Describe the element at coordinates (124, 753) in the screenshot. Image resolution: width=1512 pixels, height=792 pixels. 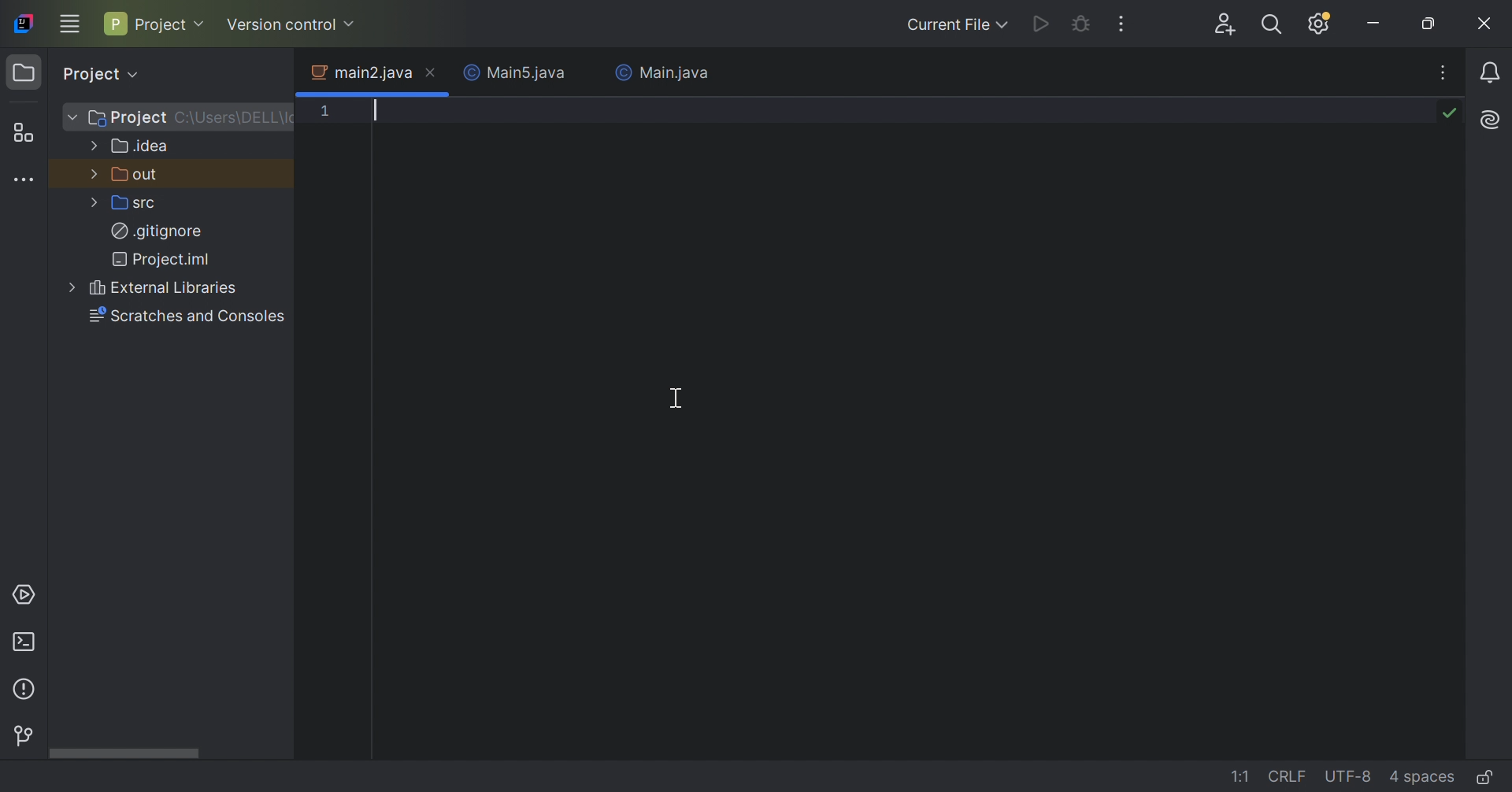
I see `Scroll bar` at that location.